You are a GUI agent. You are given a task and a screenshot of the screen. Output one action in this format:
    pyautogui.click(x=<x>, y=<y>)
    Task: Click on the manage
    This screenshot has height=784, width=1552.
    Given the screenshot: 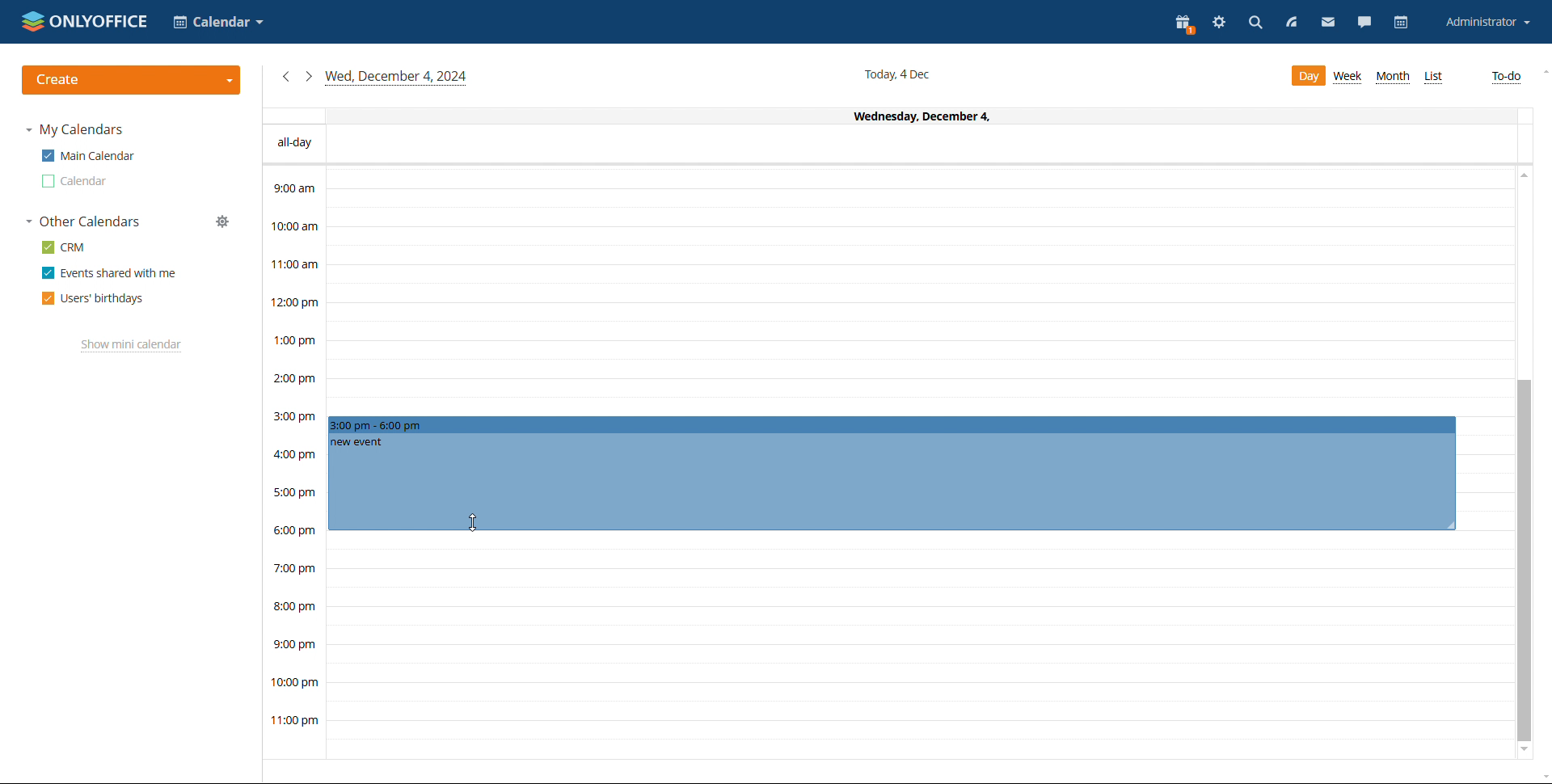 What is the action you would take?
    pyautogui.click(x=222, y=221)
    